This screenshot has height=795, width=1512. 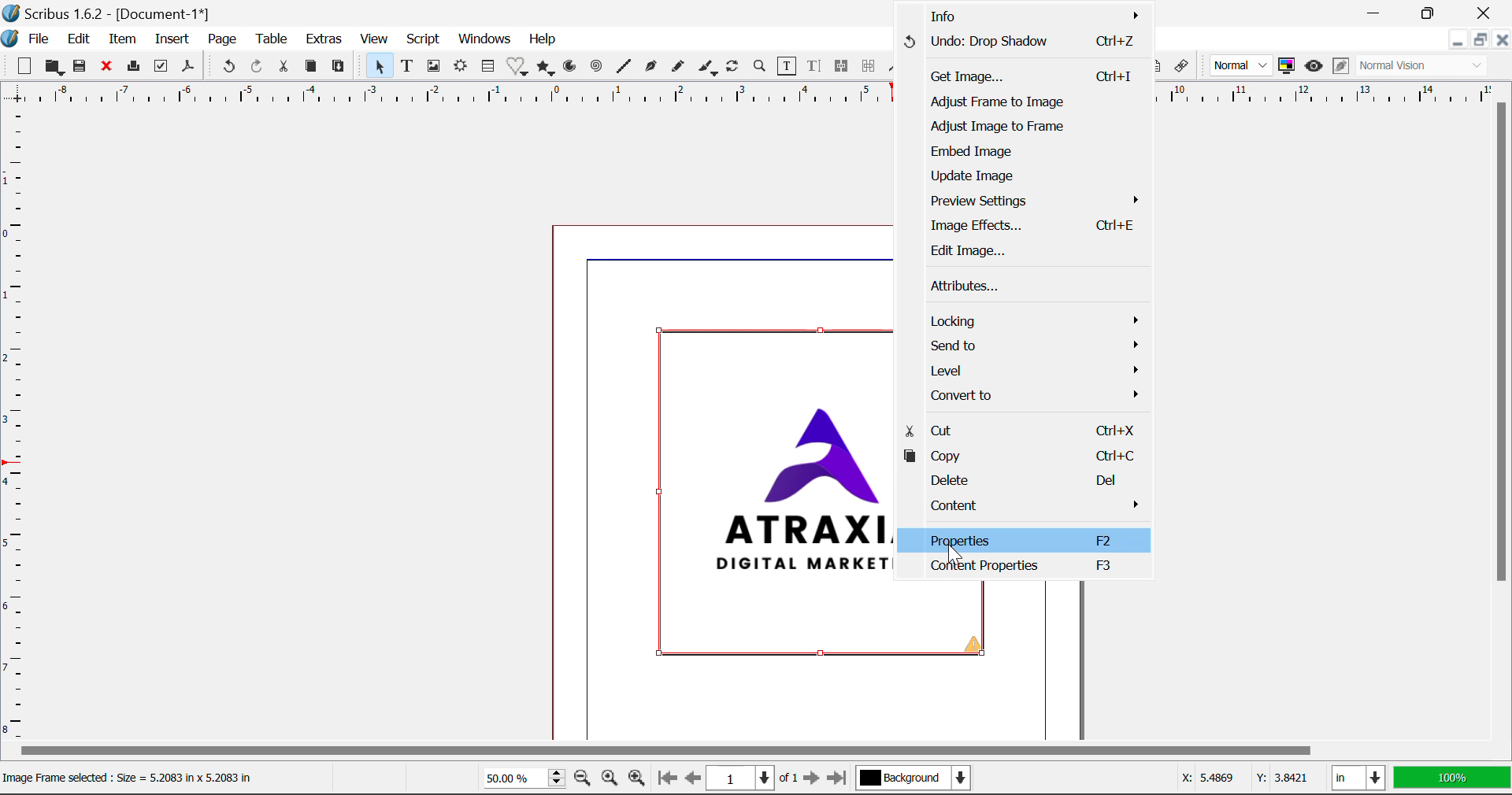 I want to click on Logo, so click(x=13, y=38).